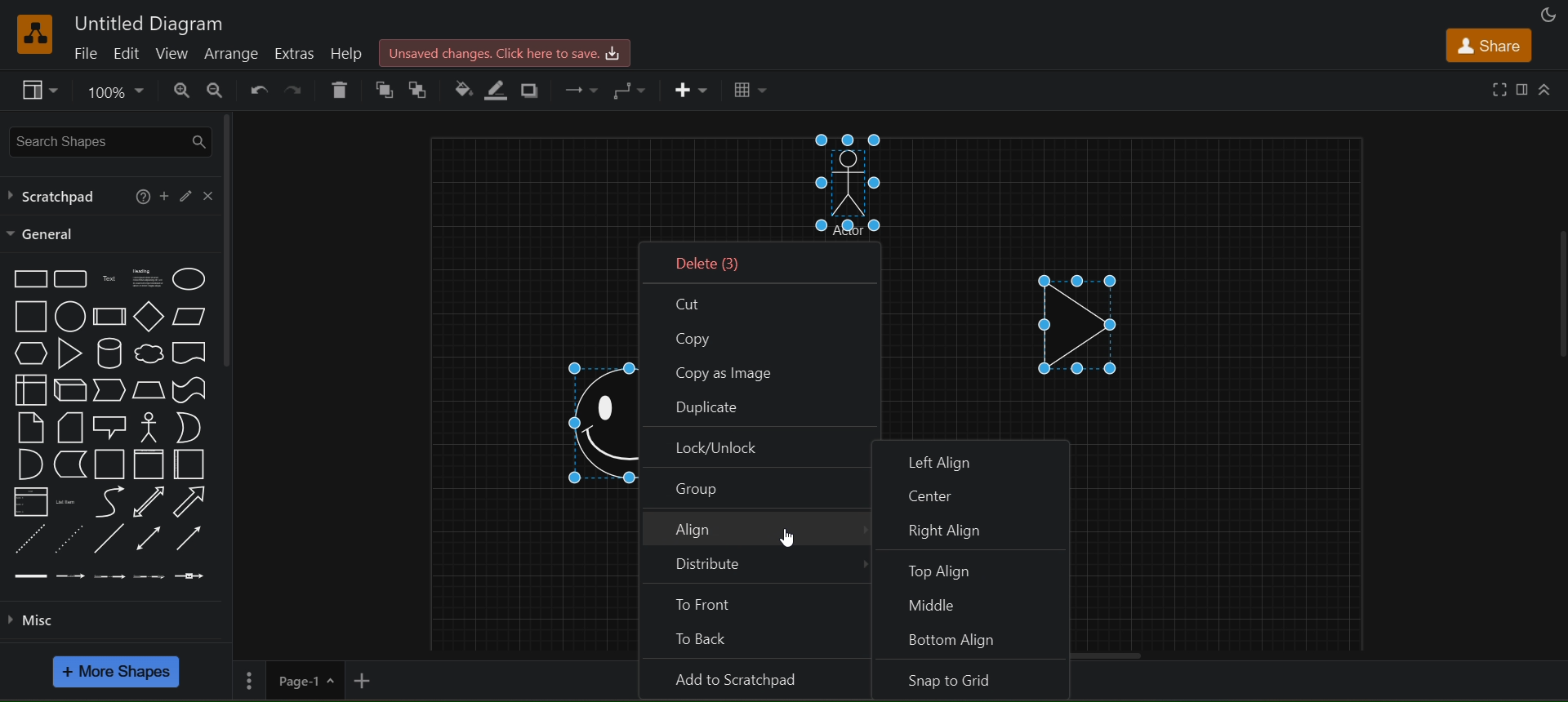 Image resolution: width=1568 pixels, height=702 pixels. Describe the element at coordinates (256, 88) in the screenshot. I see `undo` at that location.